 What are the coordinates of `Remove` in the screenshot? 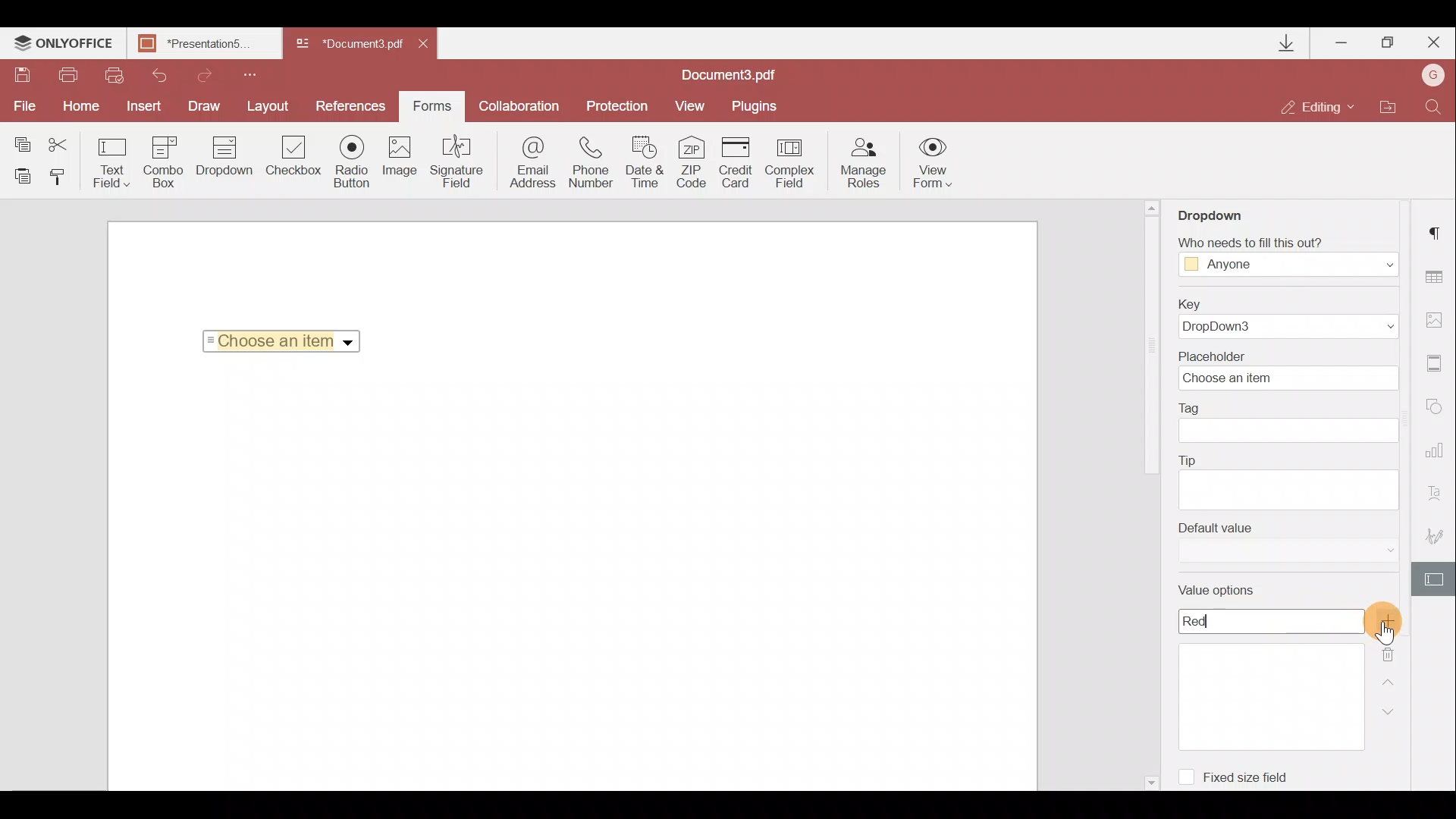 It's located at (1392, 650).